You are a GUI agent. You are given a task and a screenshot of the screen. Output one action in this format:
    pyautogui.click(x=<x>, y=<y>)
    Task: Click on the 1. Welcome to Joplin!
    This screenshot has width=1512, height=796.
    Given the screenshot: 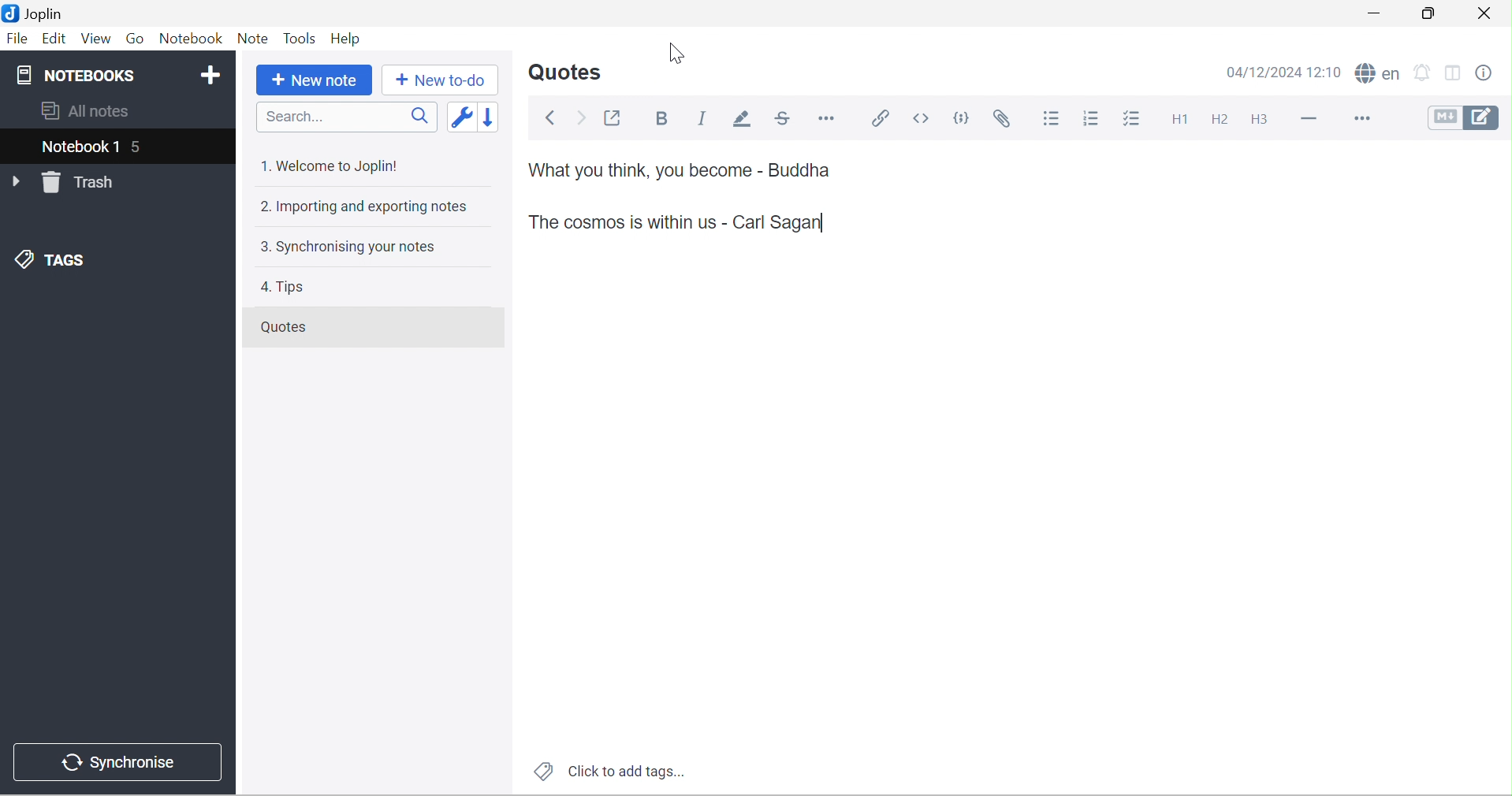 What is the action you would take?
    pyautogui.click(x=333, y=166)
    